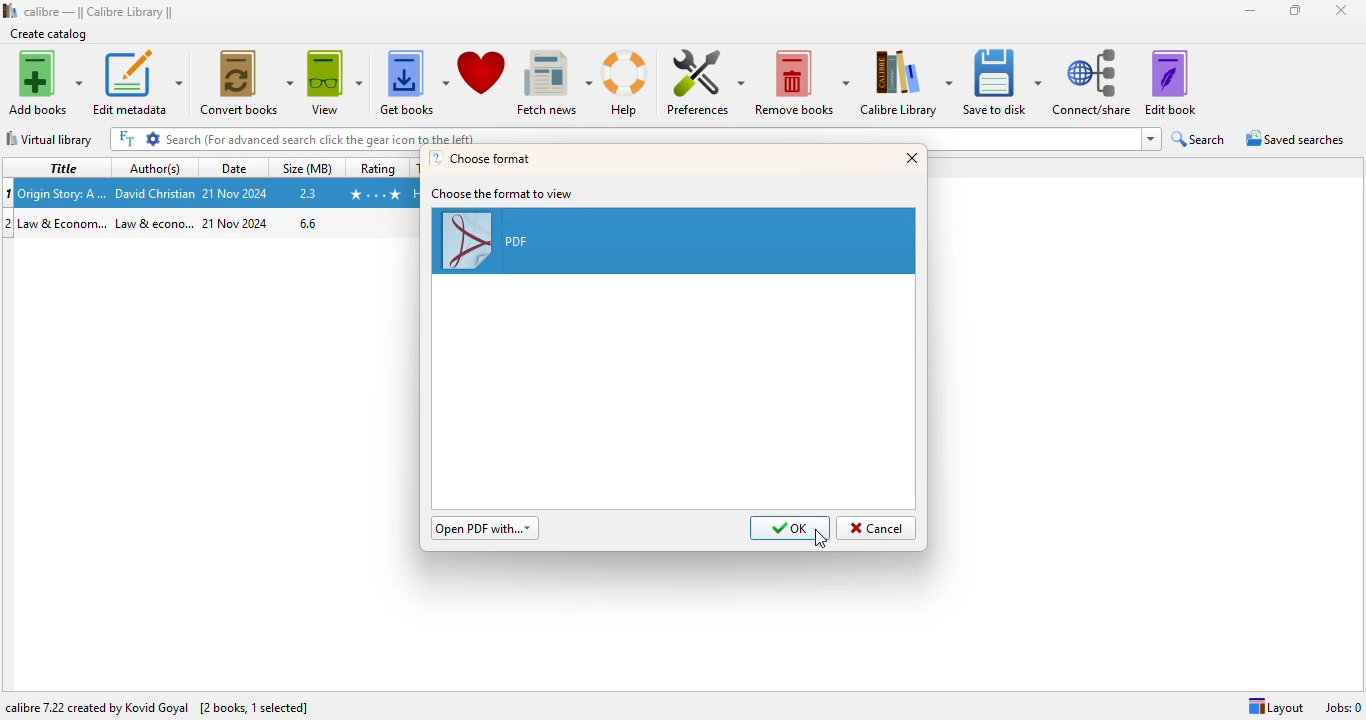 This screenshot has height=720, width=1366. I want to click on create catalog, so click(49, 34).